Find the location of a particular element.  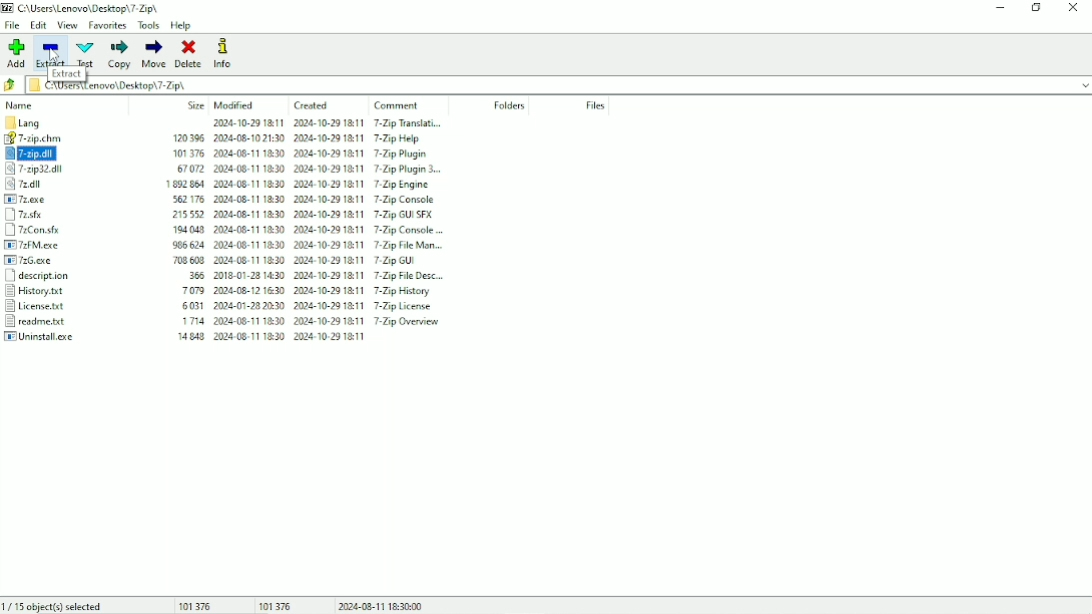

View is located at coordinates (67, 25).